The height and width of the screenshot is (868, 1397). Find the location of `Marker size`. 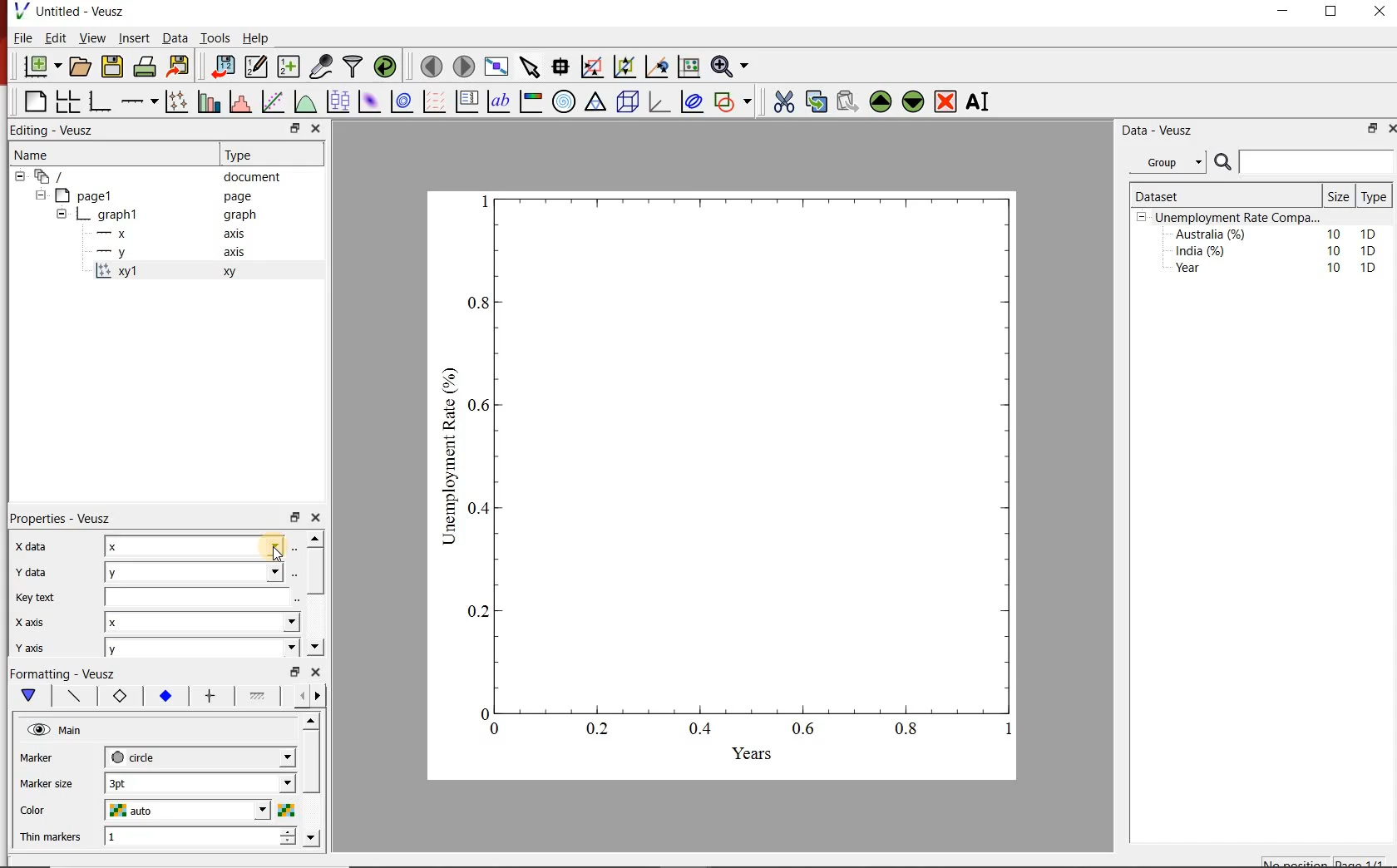

Marker size is located at coordinates (48, 782).